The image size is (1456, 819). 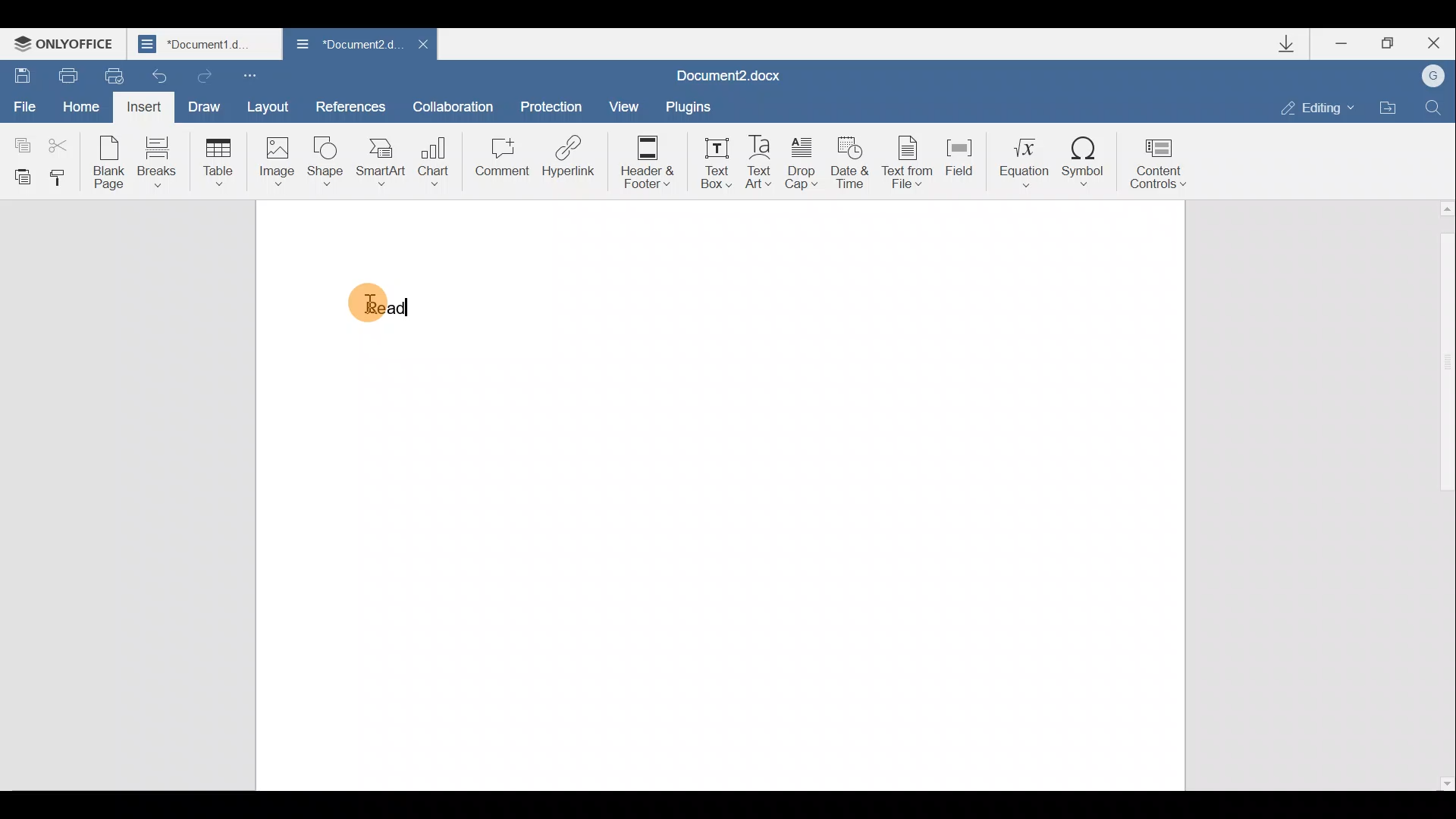 What do you see at coordinates (345, 45) in the screenshot?
I see `*Document2.d...` at bounding box center [345, 45].